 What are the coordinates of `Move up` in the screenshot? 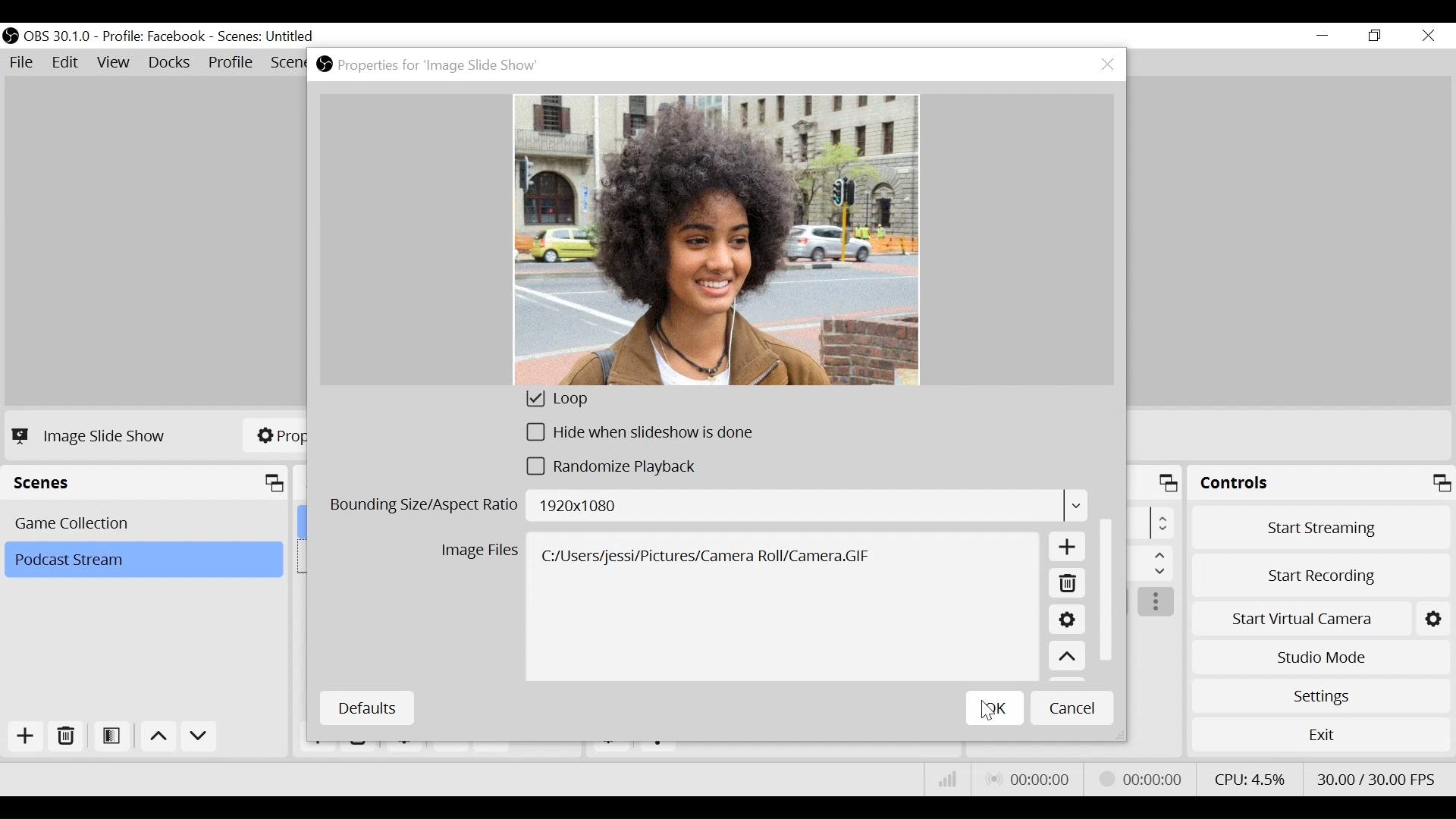 It's located at (161, 739).